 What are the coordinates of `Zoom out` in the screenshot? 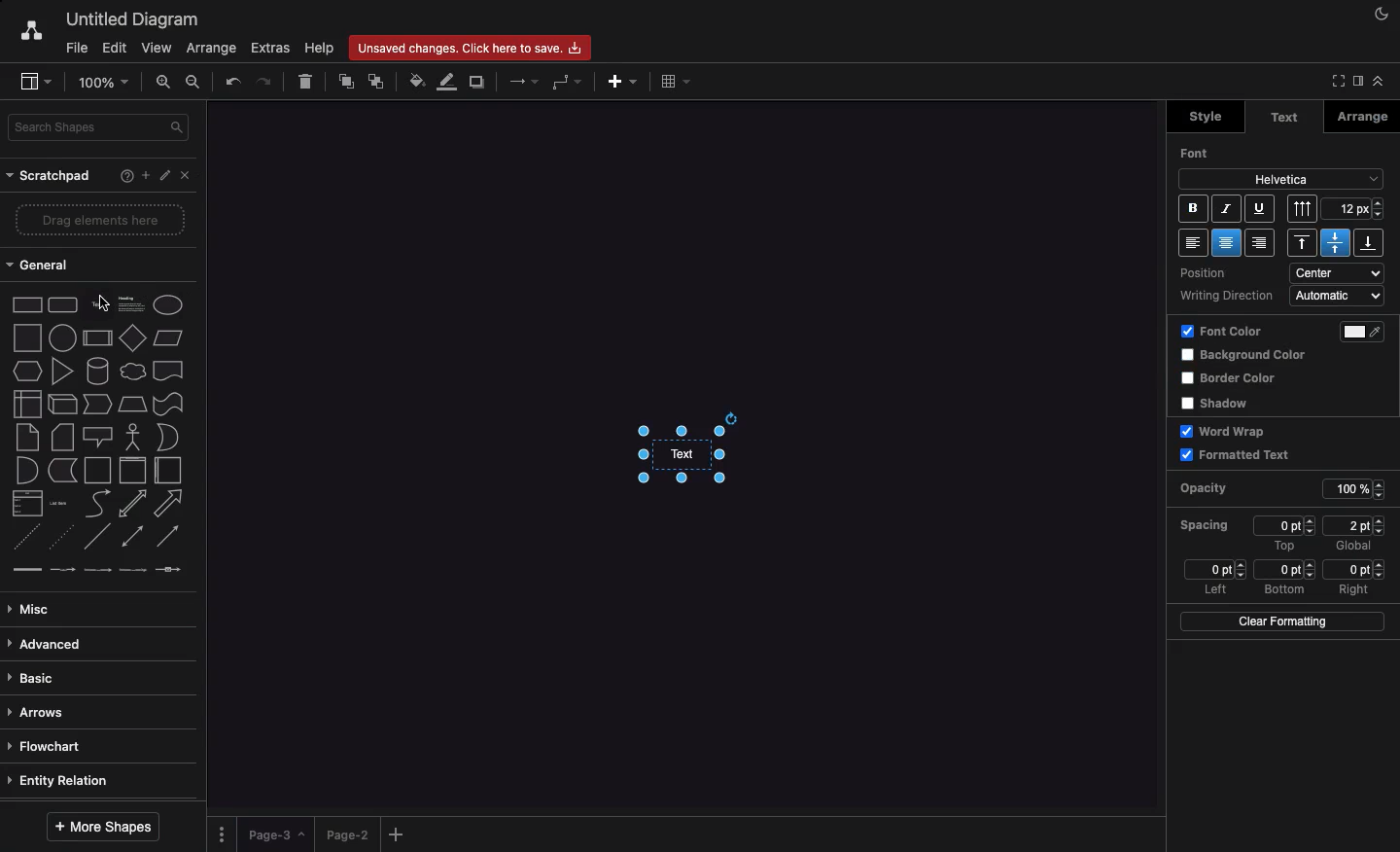 It's located at (197, 84).